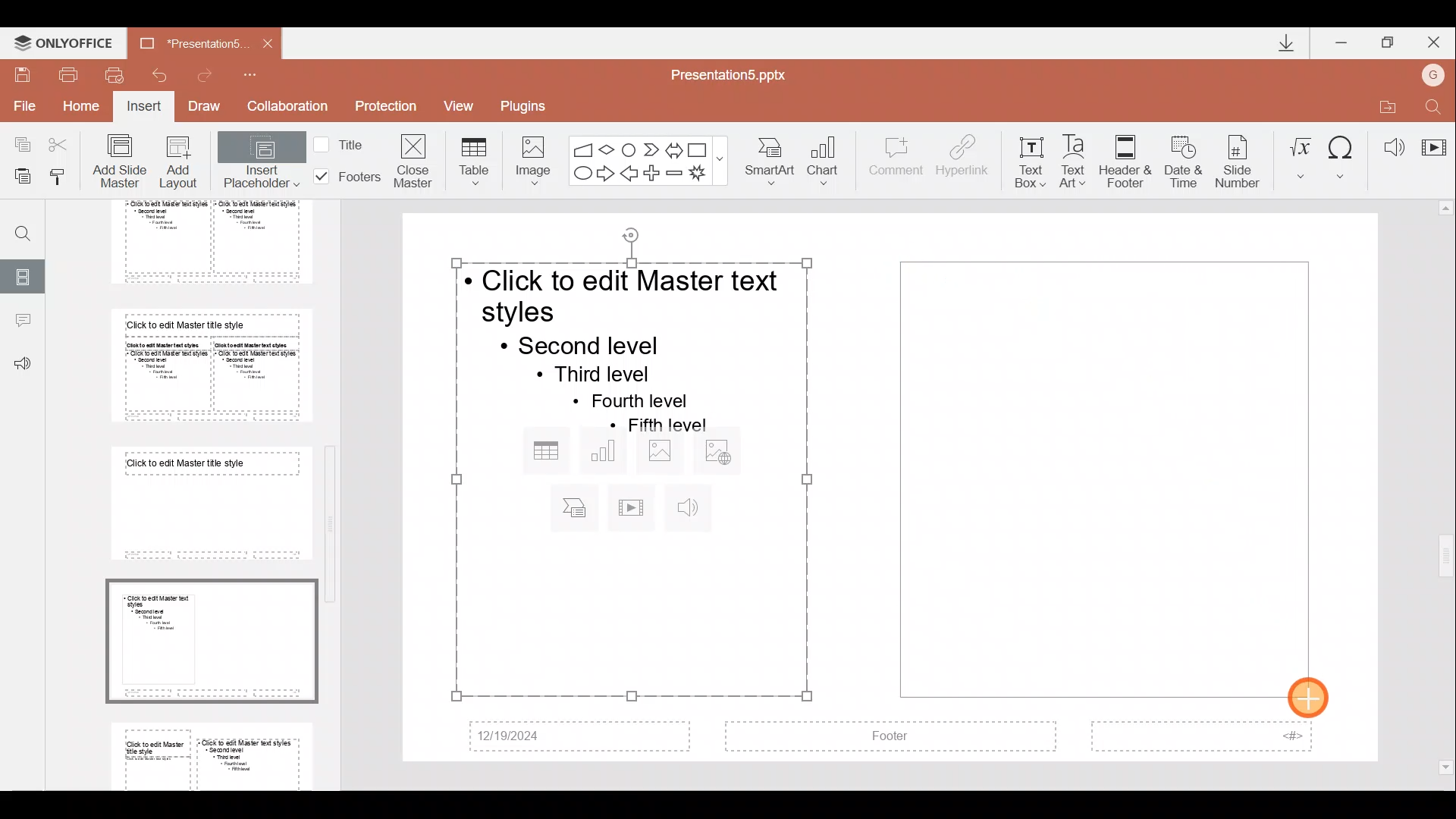 The height and width of the screenshot is (819, 1456). What do you see at coordinates (263, 42) in the screenshot?
I see `Close document` at bounding box center [263, 42].